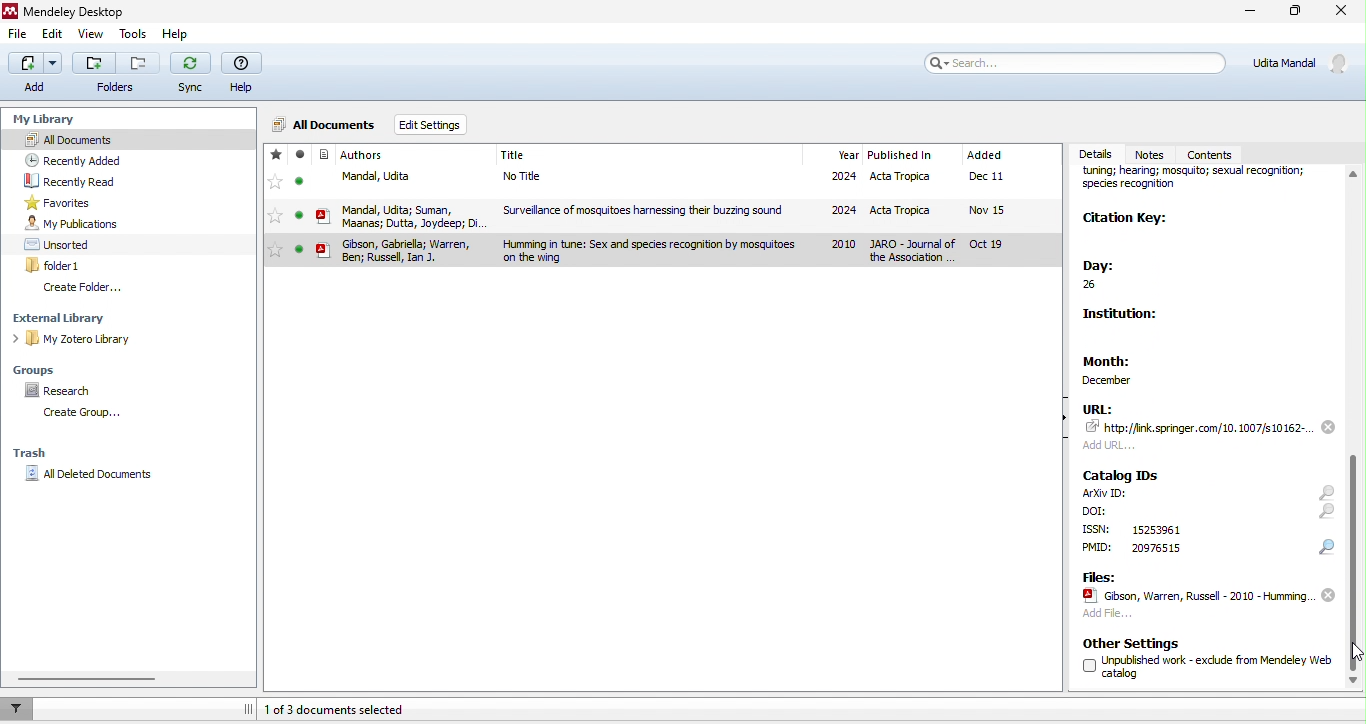  I want to click on file, so click(1196, 596).